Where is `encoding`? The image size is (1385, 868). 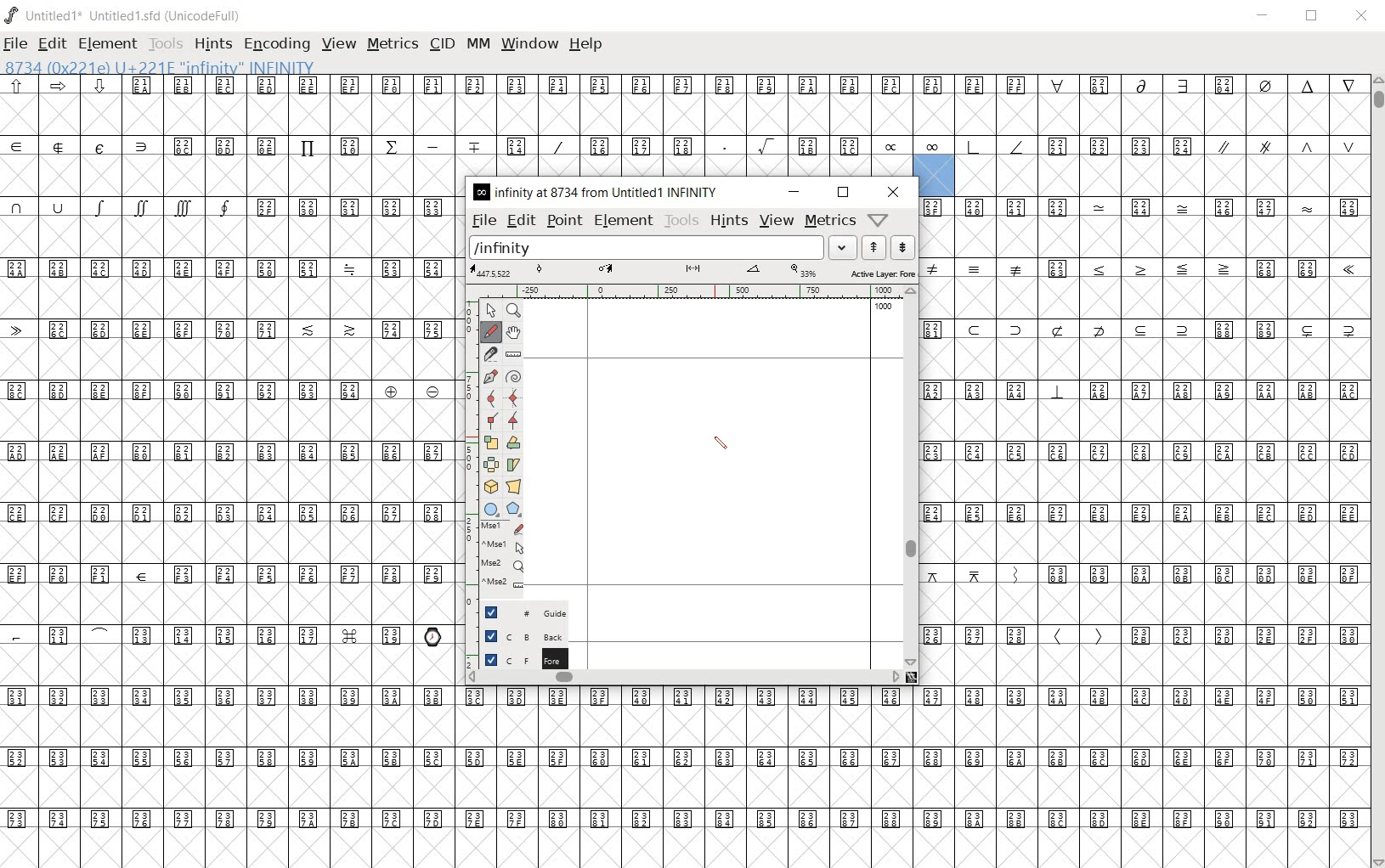
encoding is located at coordinates (277, 44).